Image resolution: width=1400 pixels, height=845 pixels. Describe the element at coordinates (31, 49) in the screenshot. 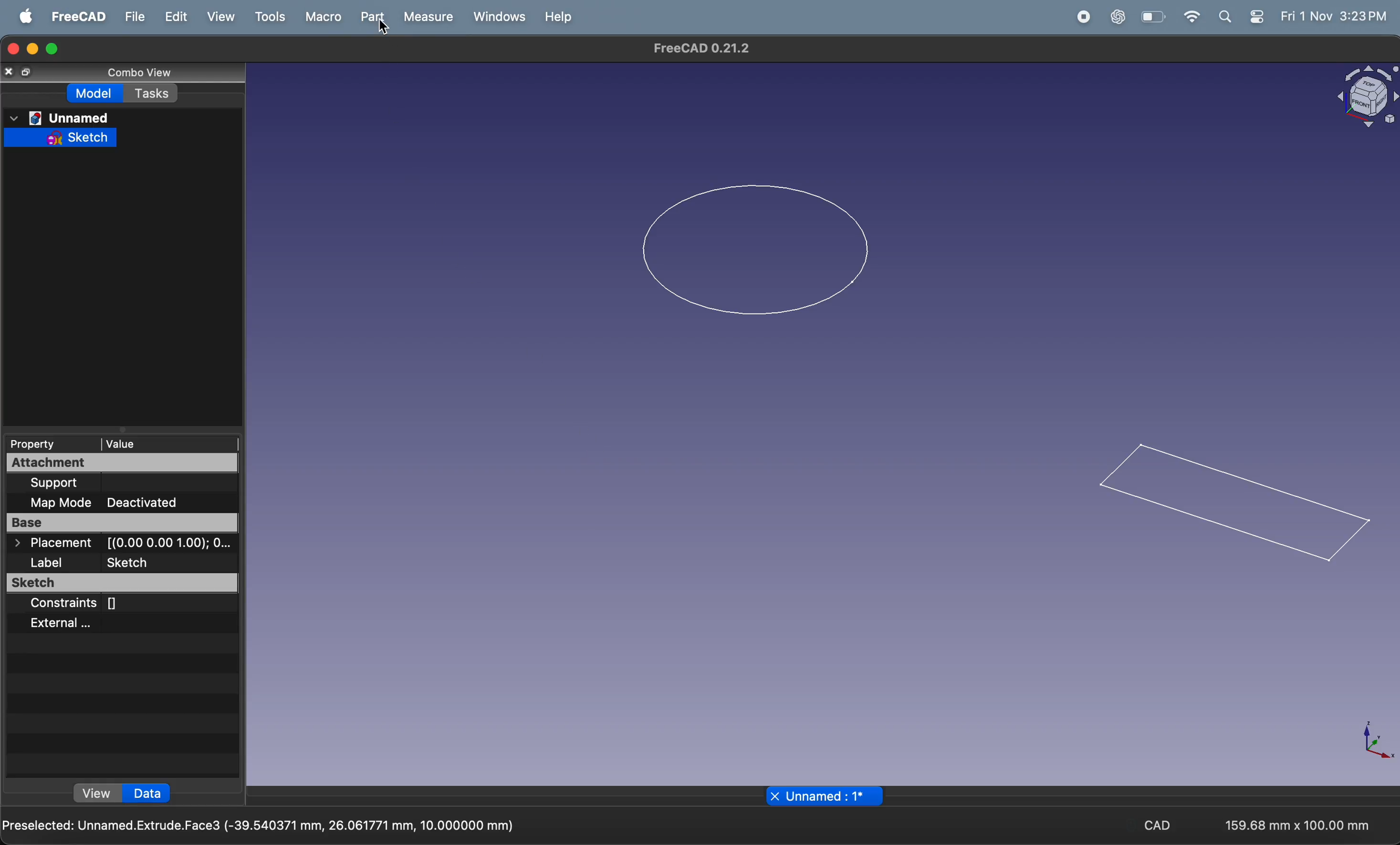

I see `minimize` at that location.